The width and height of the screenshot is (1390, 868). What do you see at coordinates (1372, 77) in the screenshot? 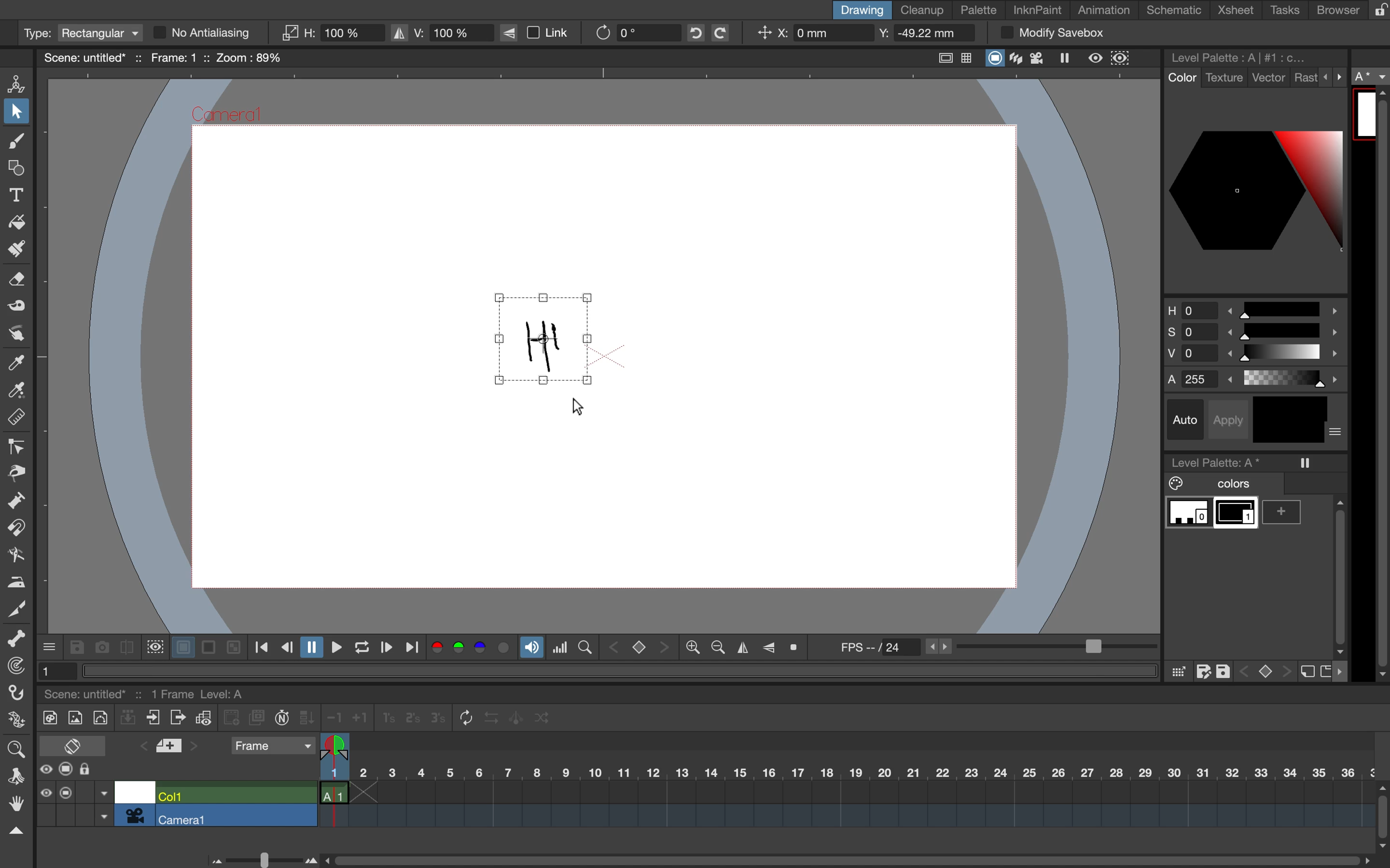
I see `a` at bounding box center [1372, 77].